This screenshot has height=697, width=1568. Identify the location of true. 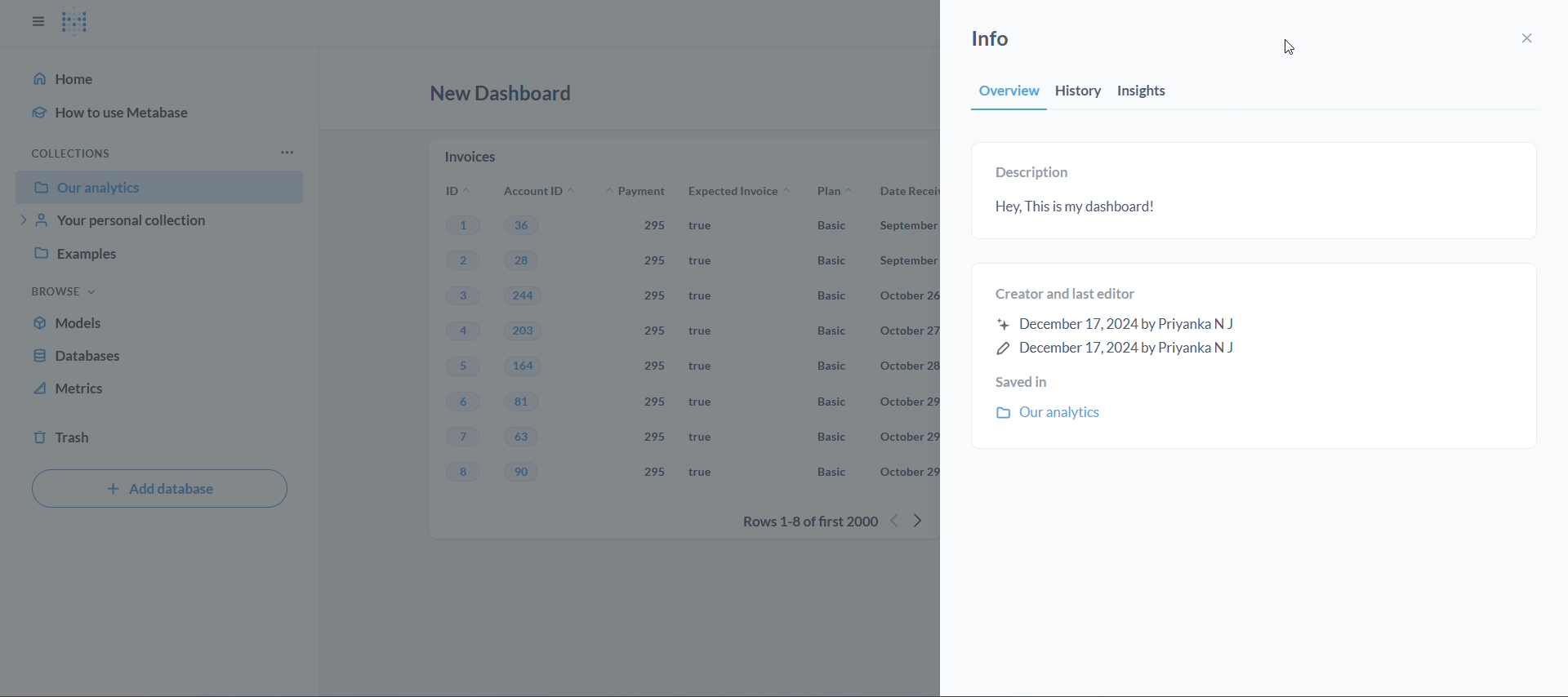
(707, 297).